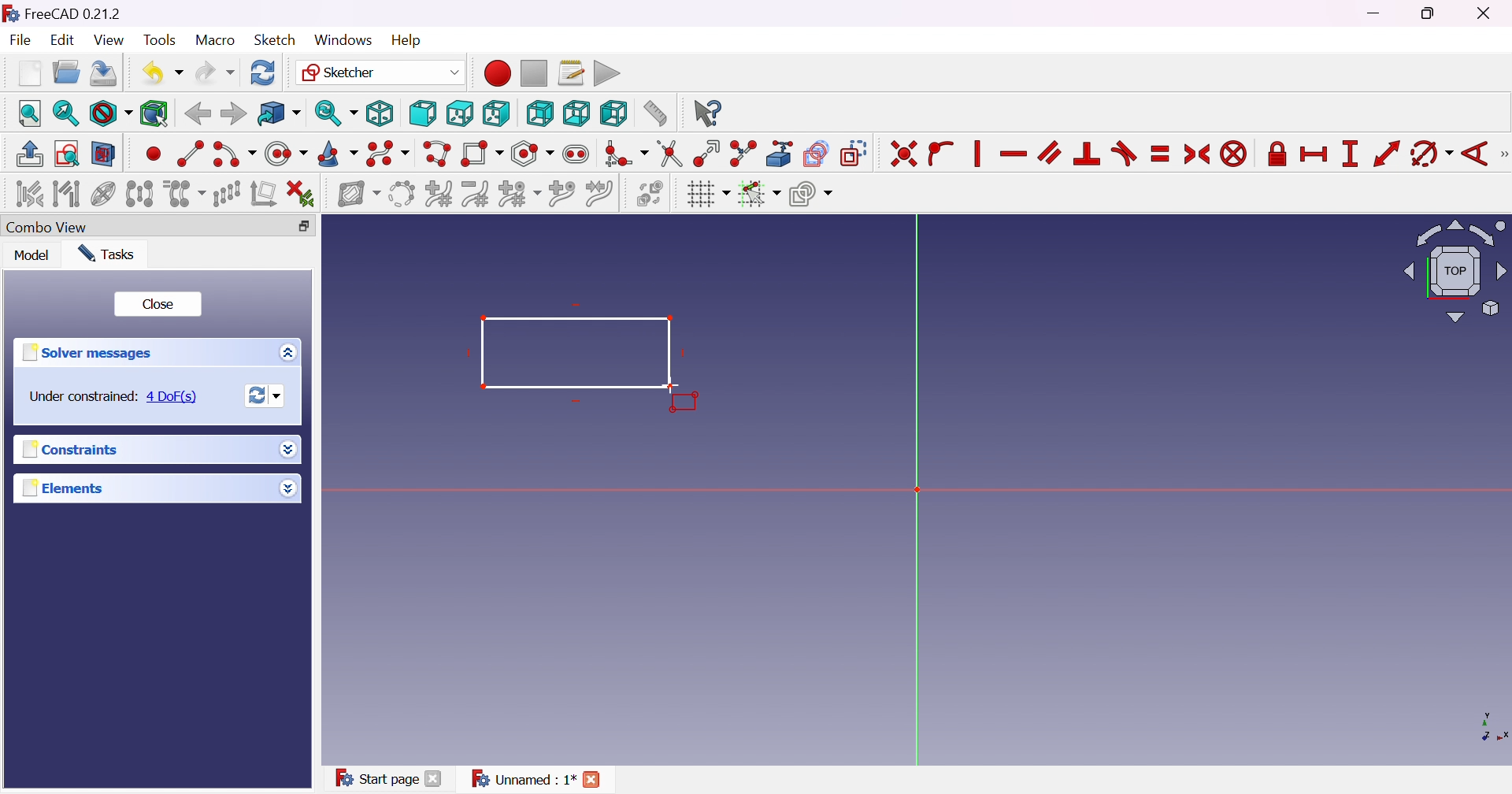 The image size is (1512, 794). I want to click on Close, so click(1487, 14).